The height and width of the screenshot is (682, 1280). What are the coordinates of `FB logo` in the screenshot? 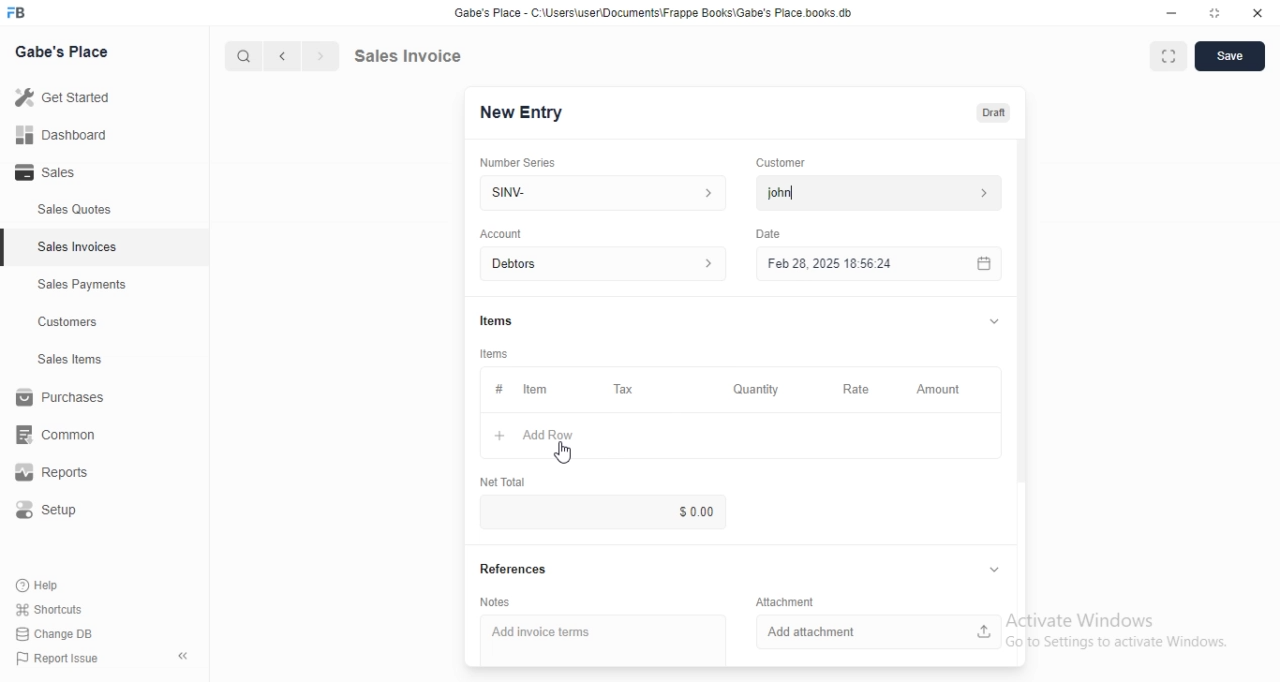 It's located at (20, 13).